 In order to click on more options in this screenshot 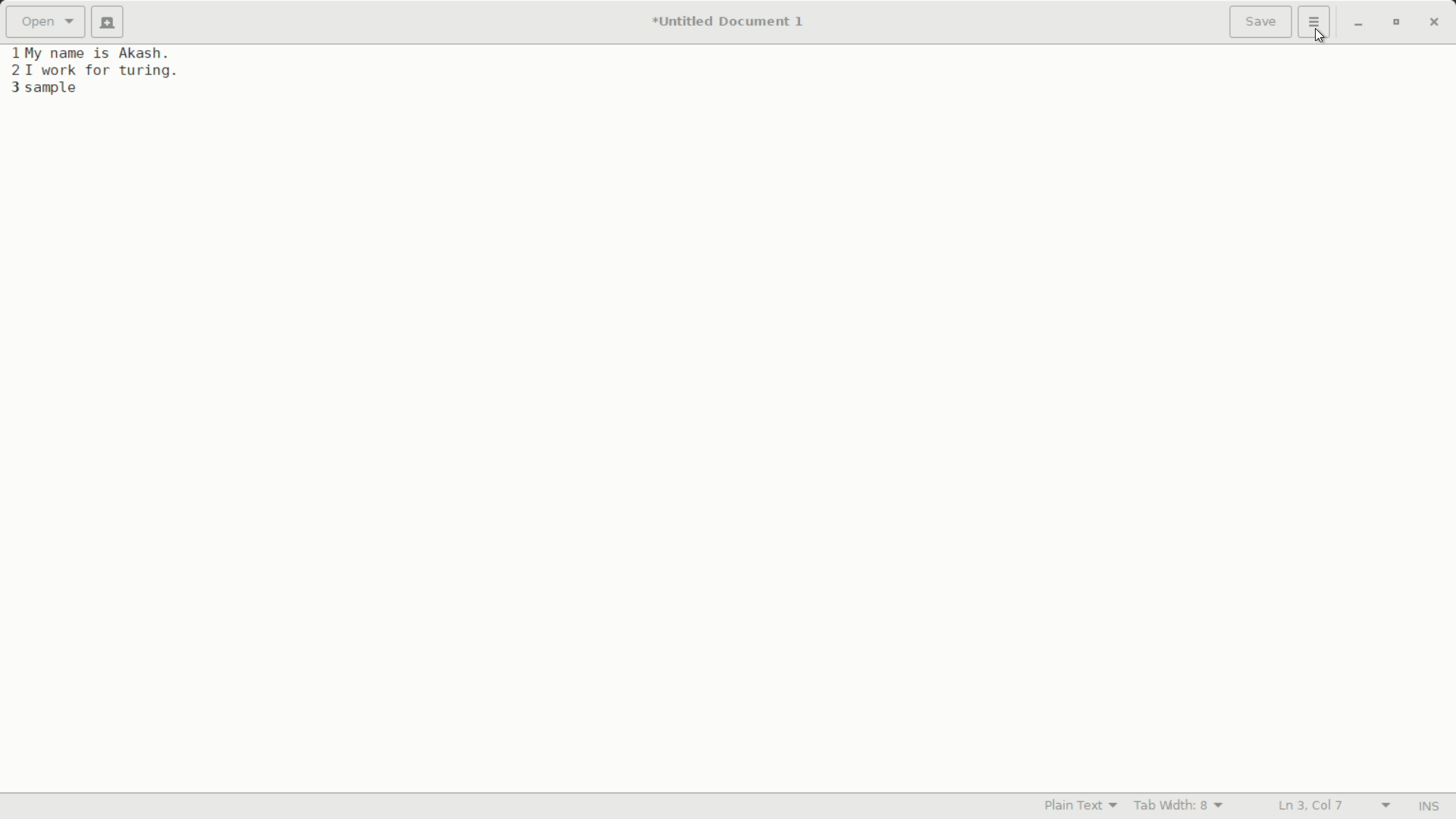, I will do `click(1316, 22)`.